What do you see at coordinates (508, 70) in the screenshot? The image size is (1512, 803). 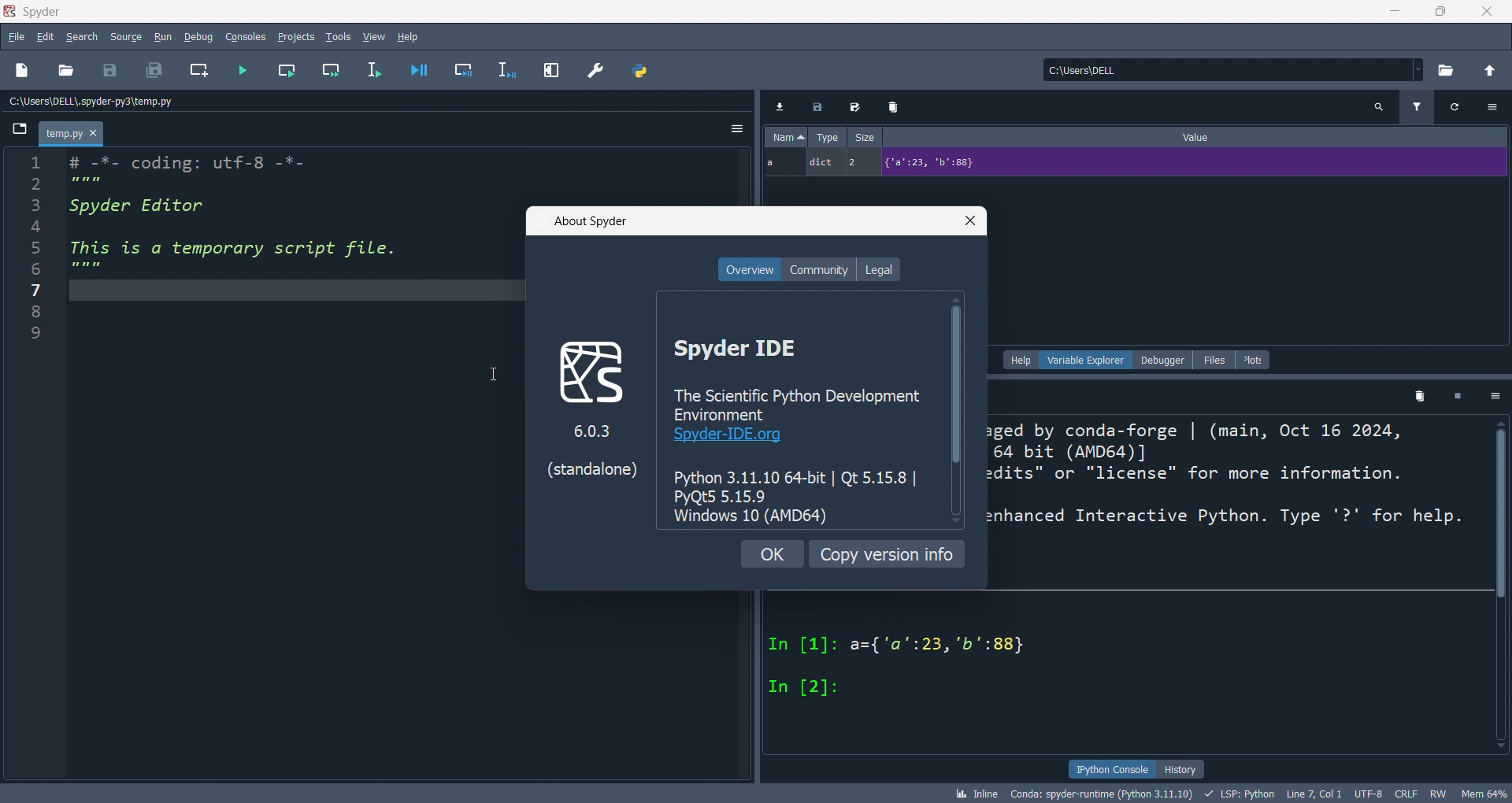 I see `debug line` at bounding box center [508, 70].